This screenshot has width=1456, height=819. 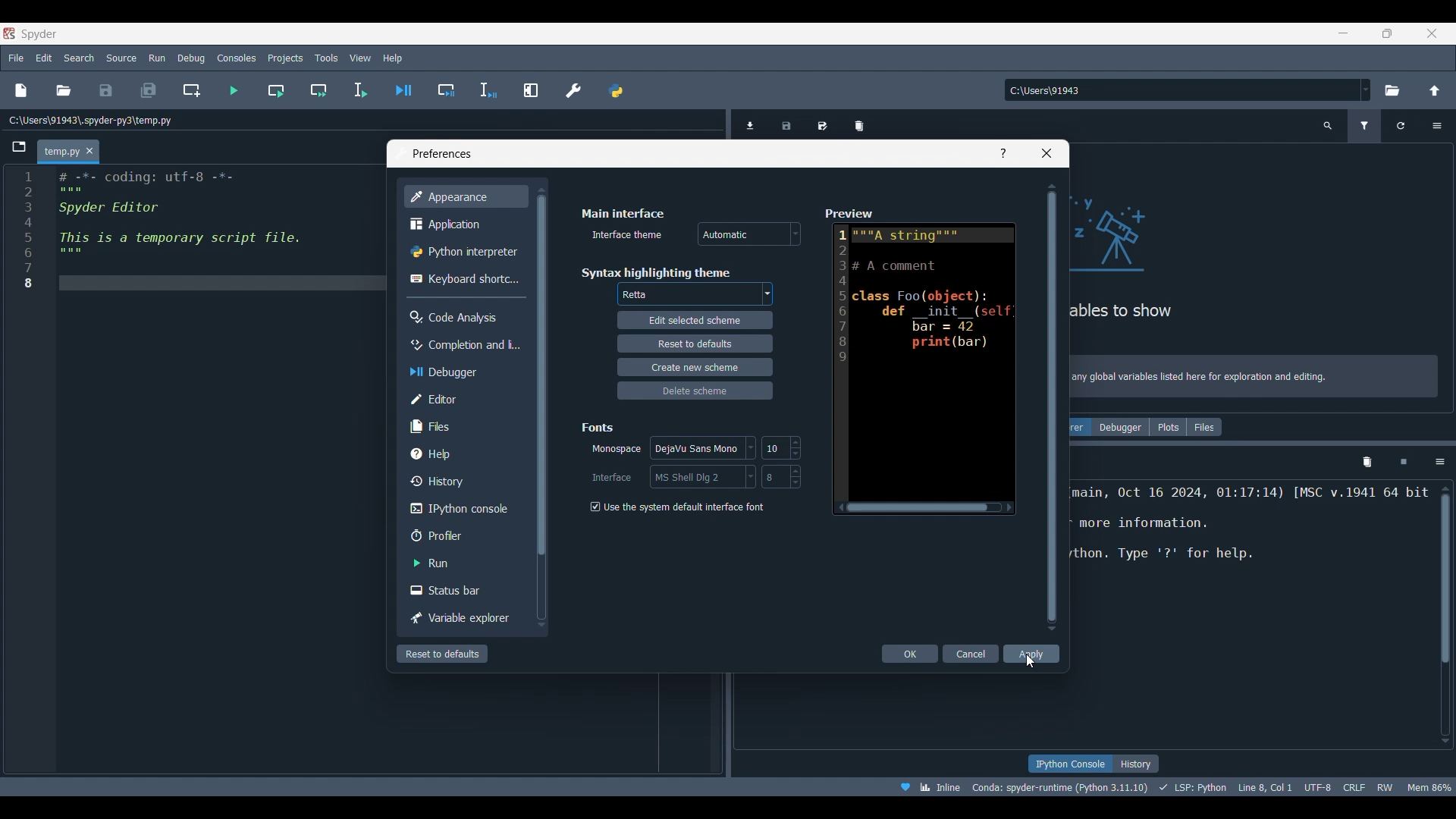 I want to click on Search menu, so click(x=80, y=58).